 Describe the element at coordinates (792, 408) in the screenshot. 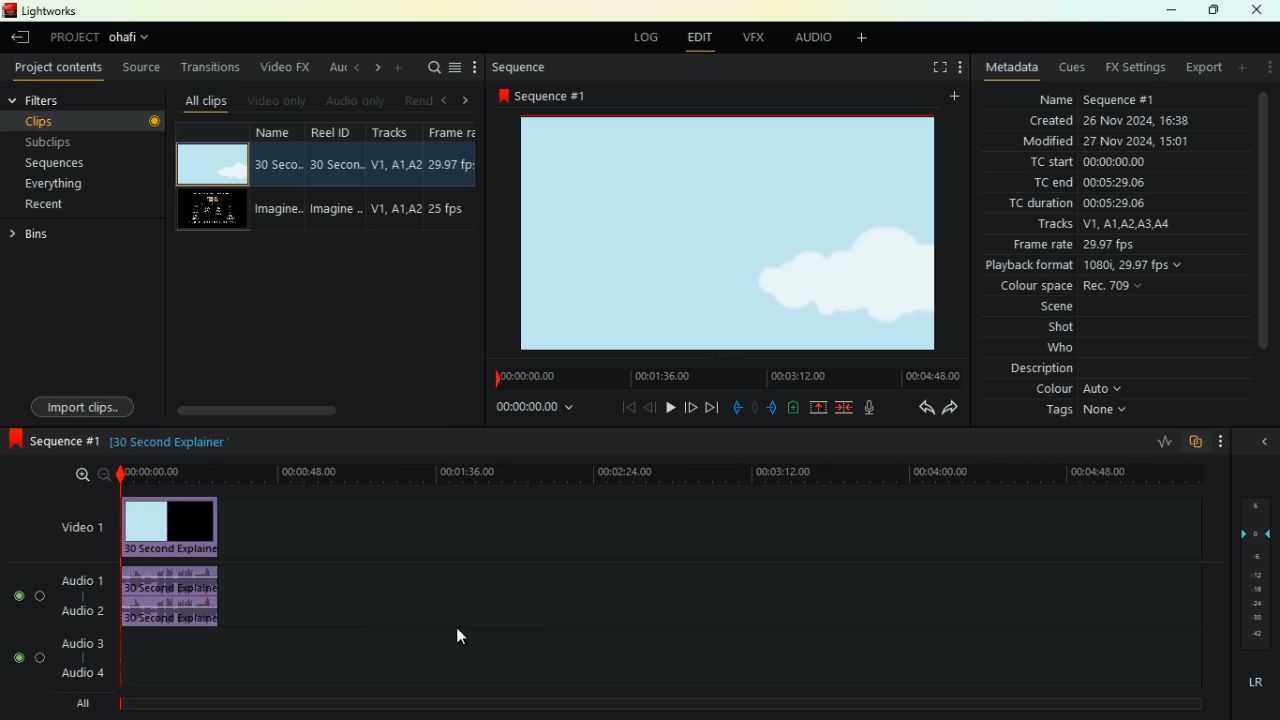

I see `battery` at that location.